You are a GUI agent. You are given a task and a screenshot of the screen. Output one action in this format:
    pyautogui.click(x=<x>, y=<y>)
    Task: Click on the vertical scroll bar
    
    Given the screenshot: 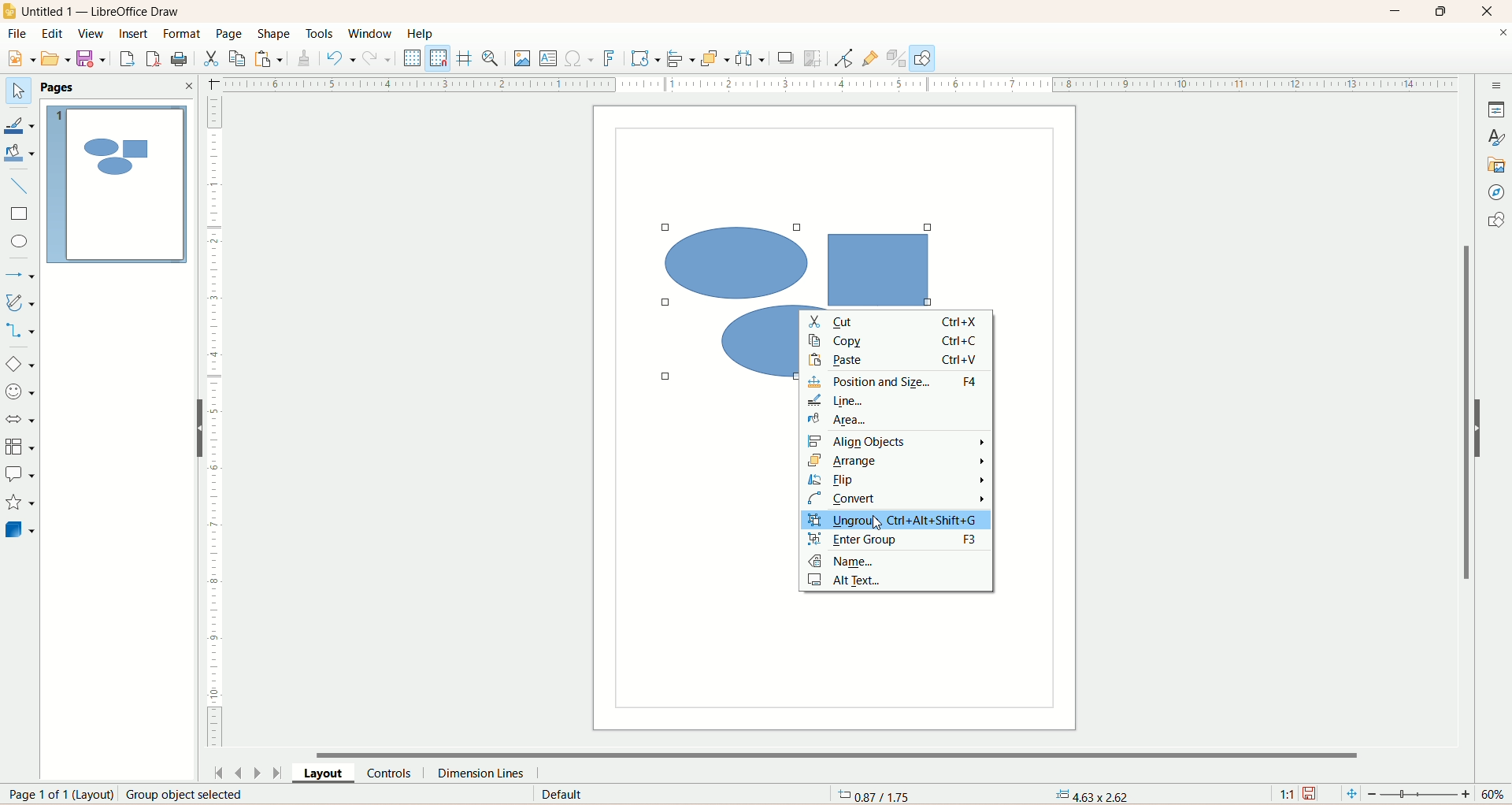 What is the action you would take?
    pyautogui.click(x=1466, y=436)
    